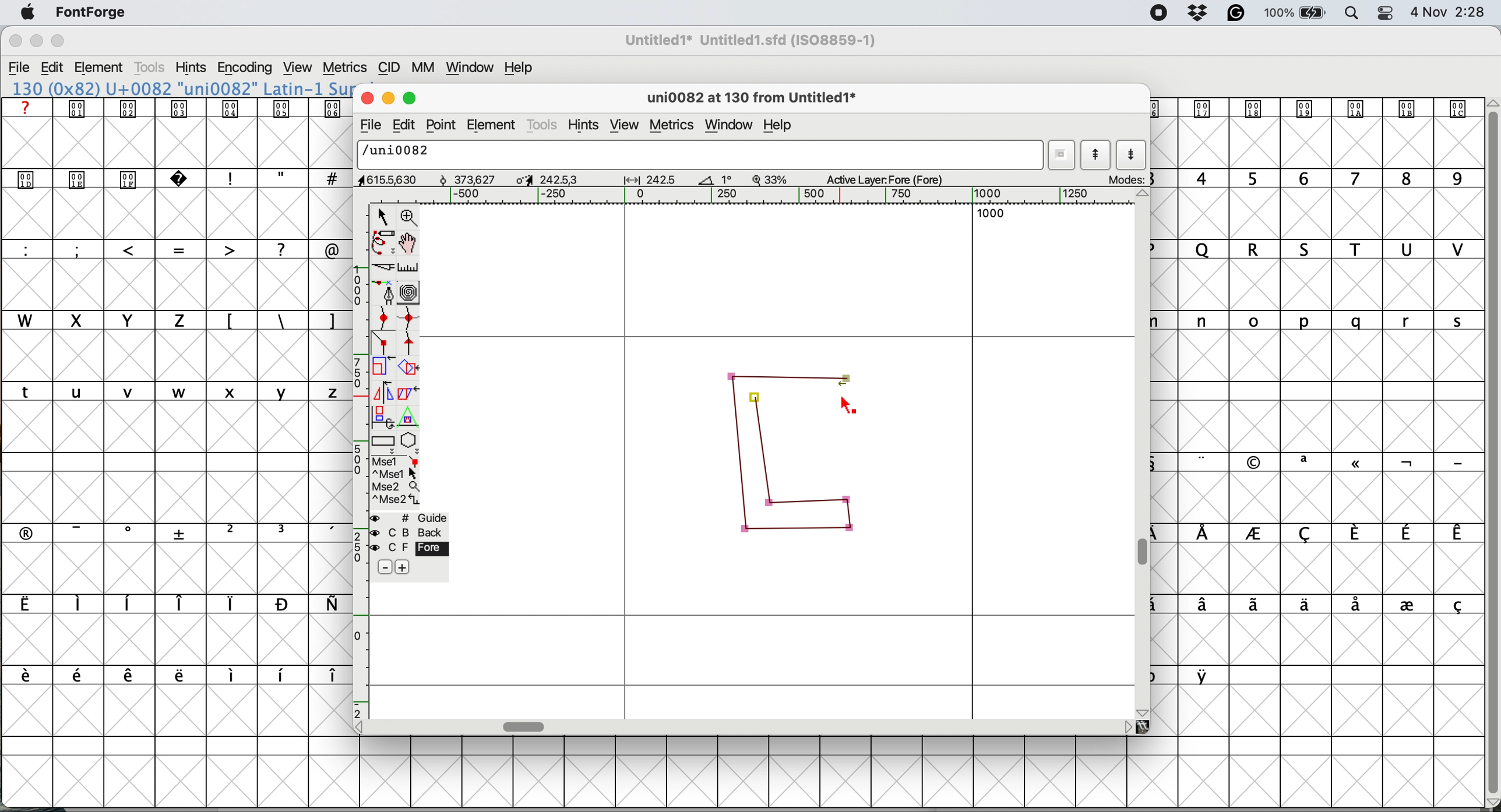  I want to click on glyph name, so click(697, 154).